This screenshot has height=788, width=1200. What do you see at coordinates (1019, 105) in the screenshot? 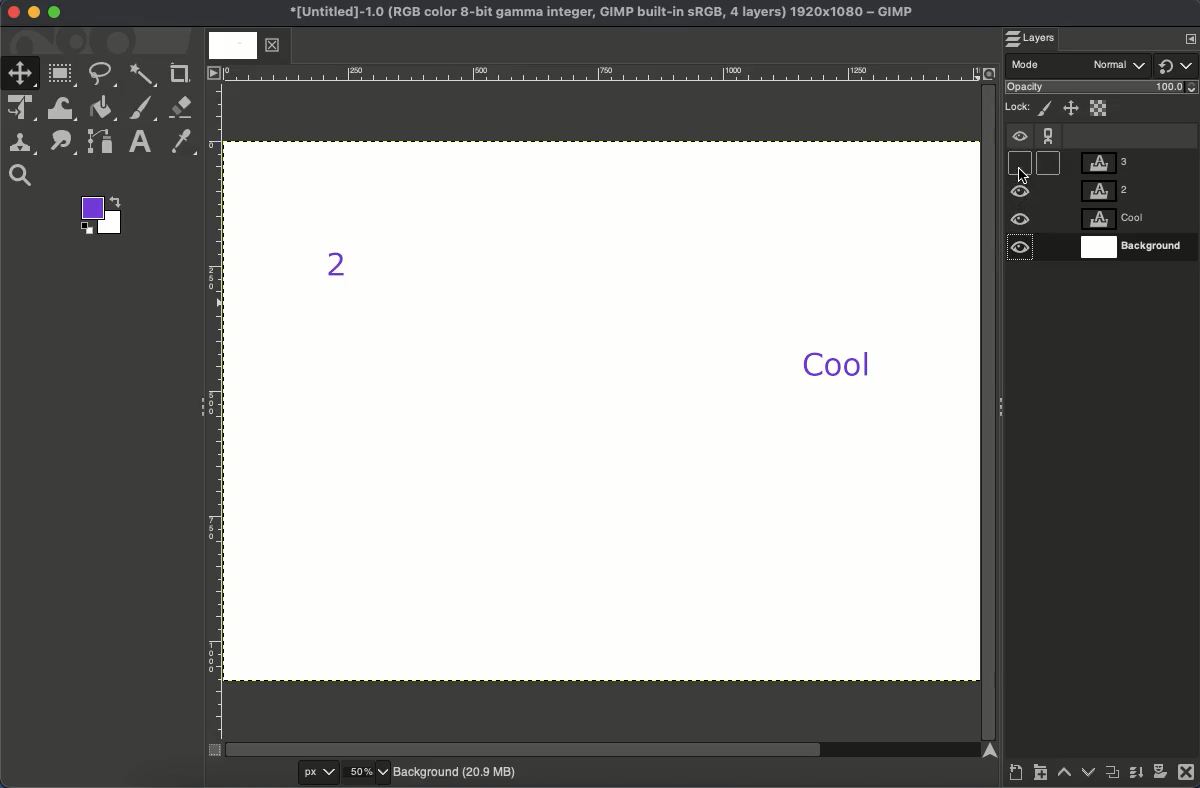
I see `Lock` at bounding box center [1019, 105].